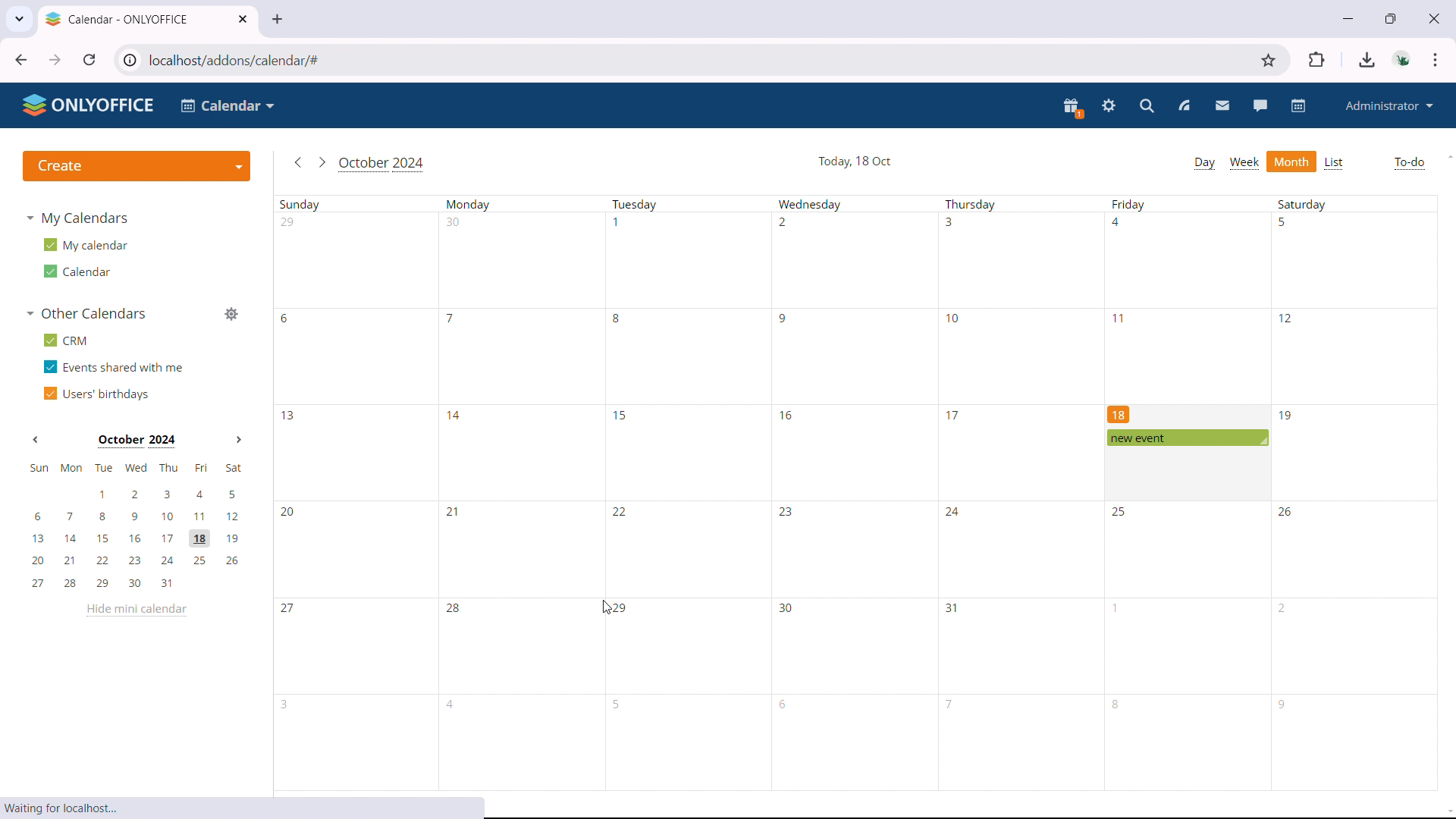  I want to click on day, so click(1204, 163).